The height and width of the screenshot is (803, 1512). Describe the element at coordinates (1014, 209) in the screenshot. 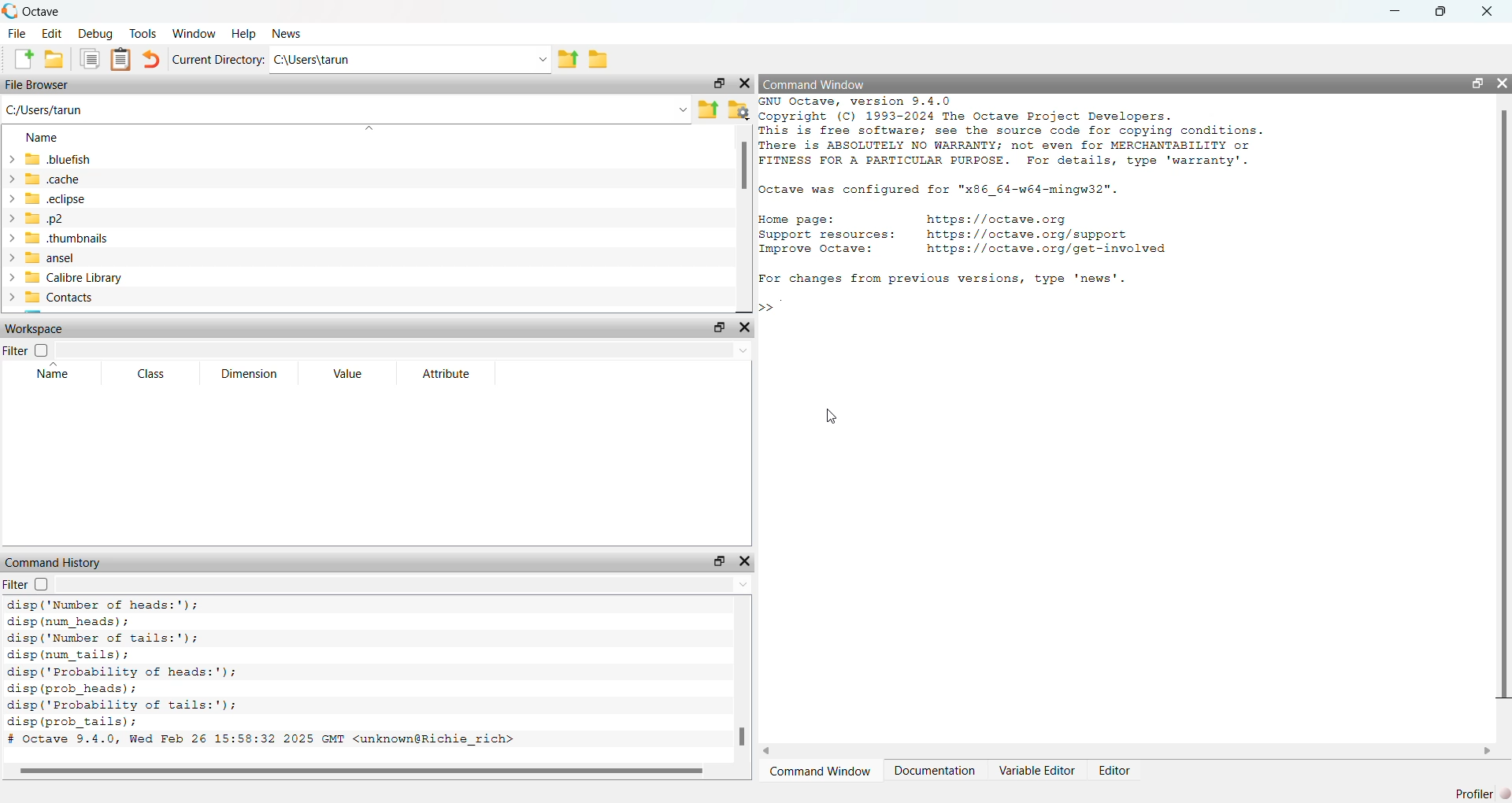

I see `GNU Octave, version 9.4.0

Copyright (C) 1993-2024 The Octave Project Developers.

This is free software; see the source code for copying conditions.
There is ABSOLUTELY NO WARRANTY; not even for MERCHANTABILITY or
FITNESS FOR A PARTICULAR PURPOSE. For details, type 'warranty'.
octave was configured for "x86_64-w64-mingw32".

Home page: https://octave.org

Support resources:  https://octave.org/support

Improve Octave: https://octave.org/get-involved

For changes from previous versions, type 'news'.

>` at that location.